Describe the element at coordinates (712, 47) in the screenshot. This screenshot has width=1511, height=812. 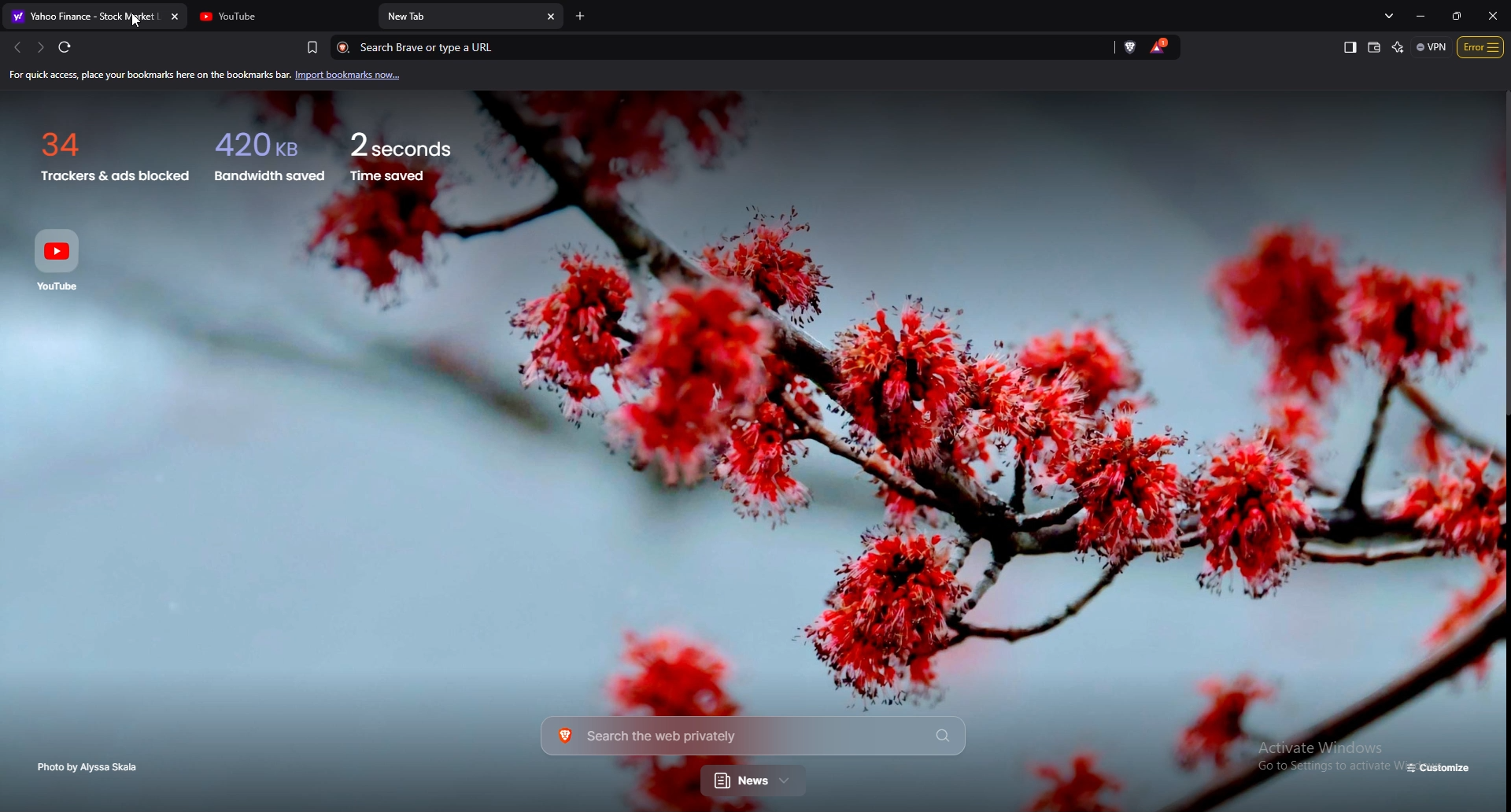
I see `Search Brave or type a URL` at that location.